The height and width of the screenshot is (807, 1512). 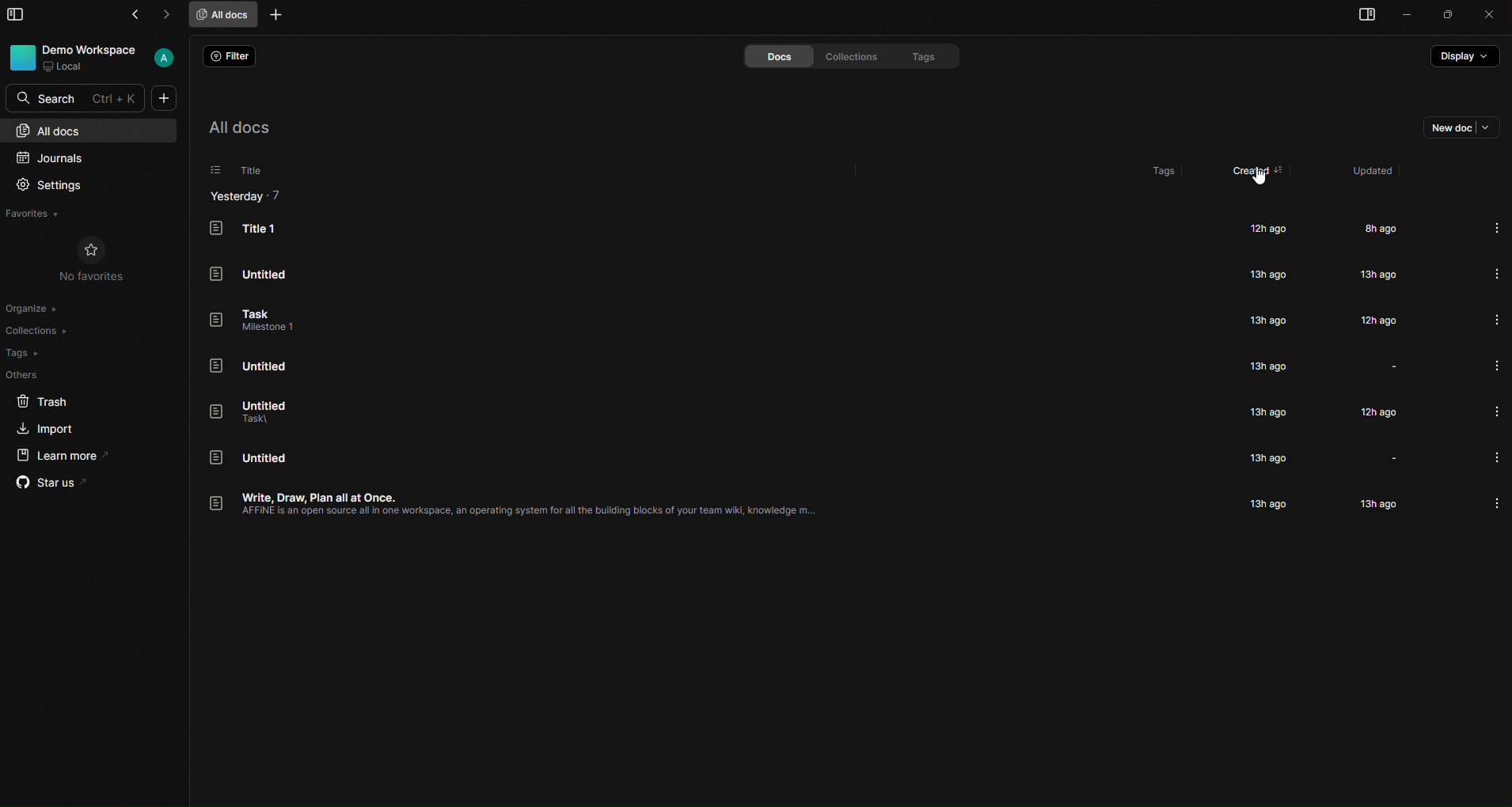 I want to click on collections, so click(x=42, y=331).